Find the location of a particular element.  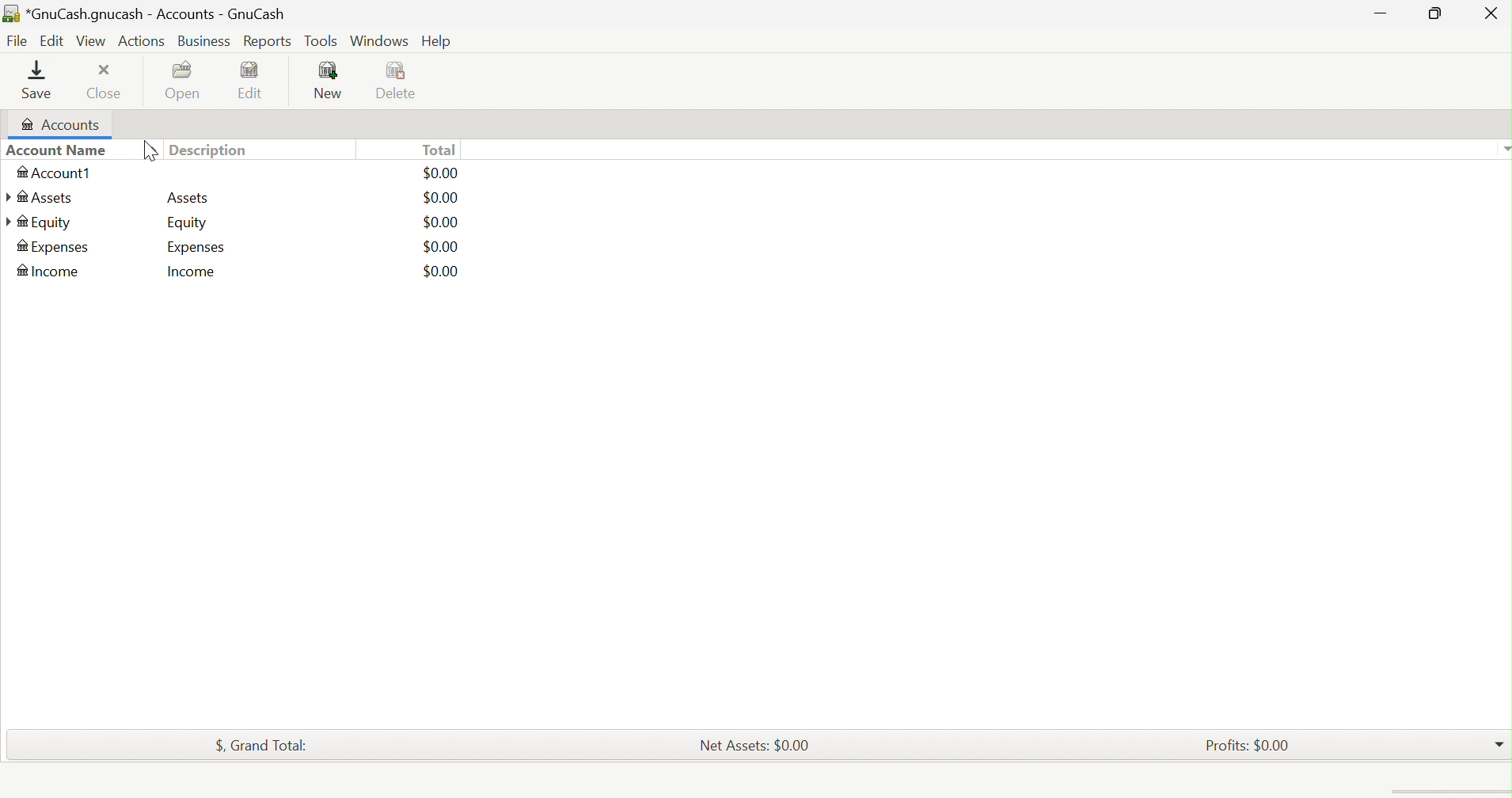

Cursor is located at coordinates (149, 152).